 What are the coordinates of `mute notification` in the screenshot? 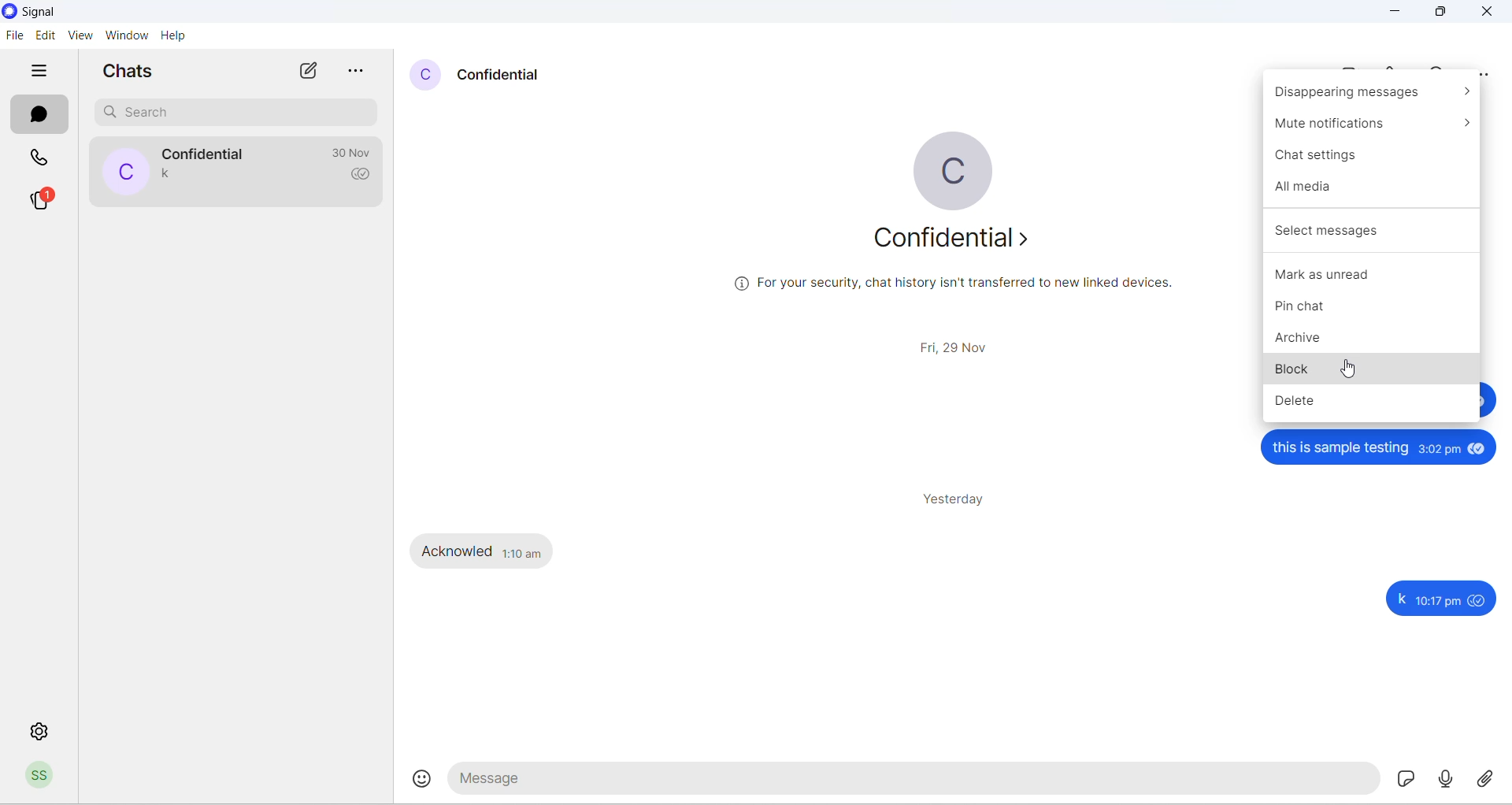 It's located at (1372, 125).